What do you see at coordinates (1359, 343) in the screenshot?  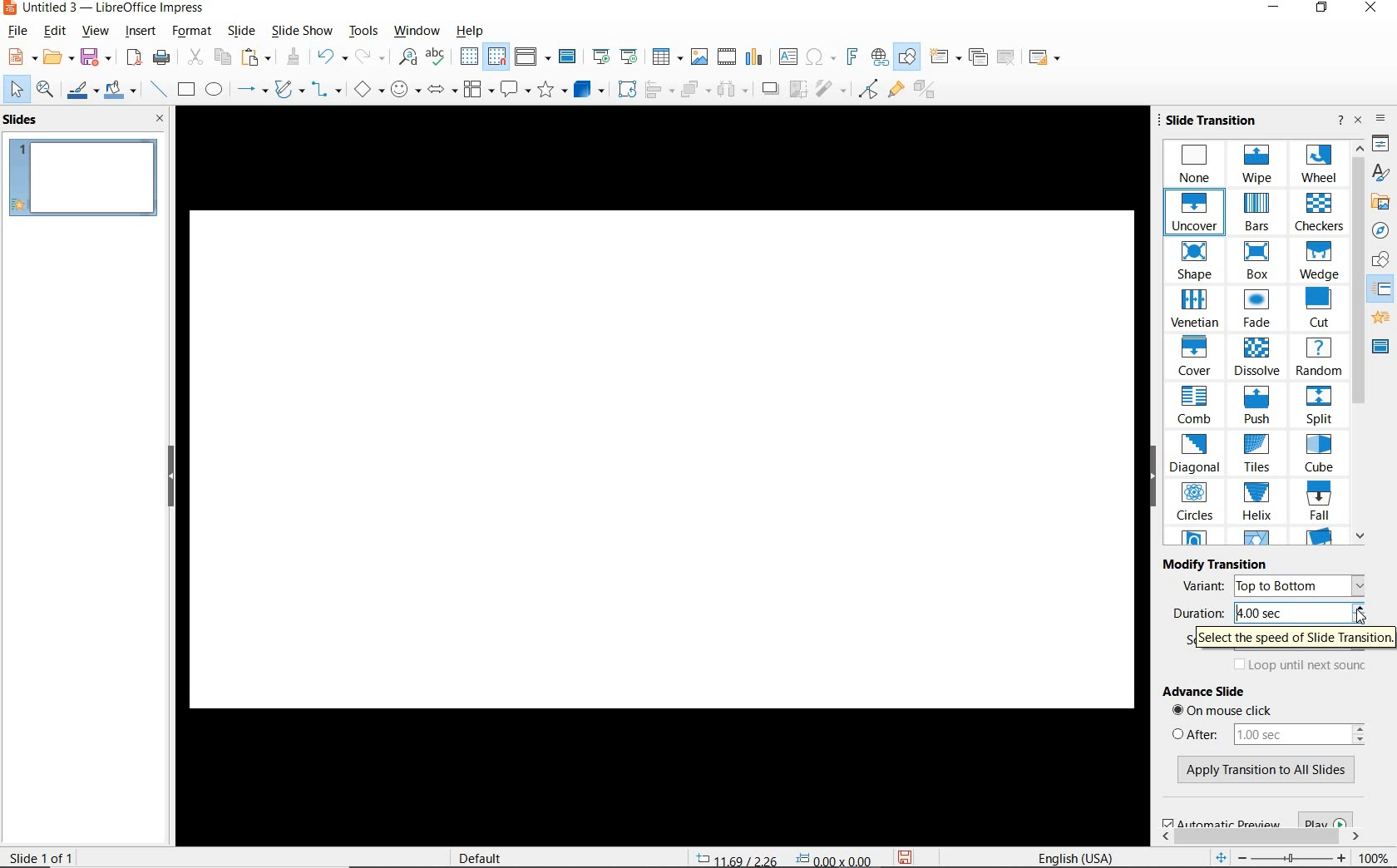 I see `SCROLLBAR` at bounding box center [1359, 343].